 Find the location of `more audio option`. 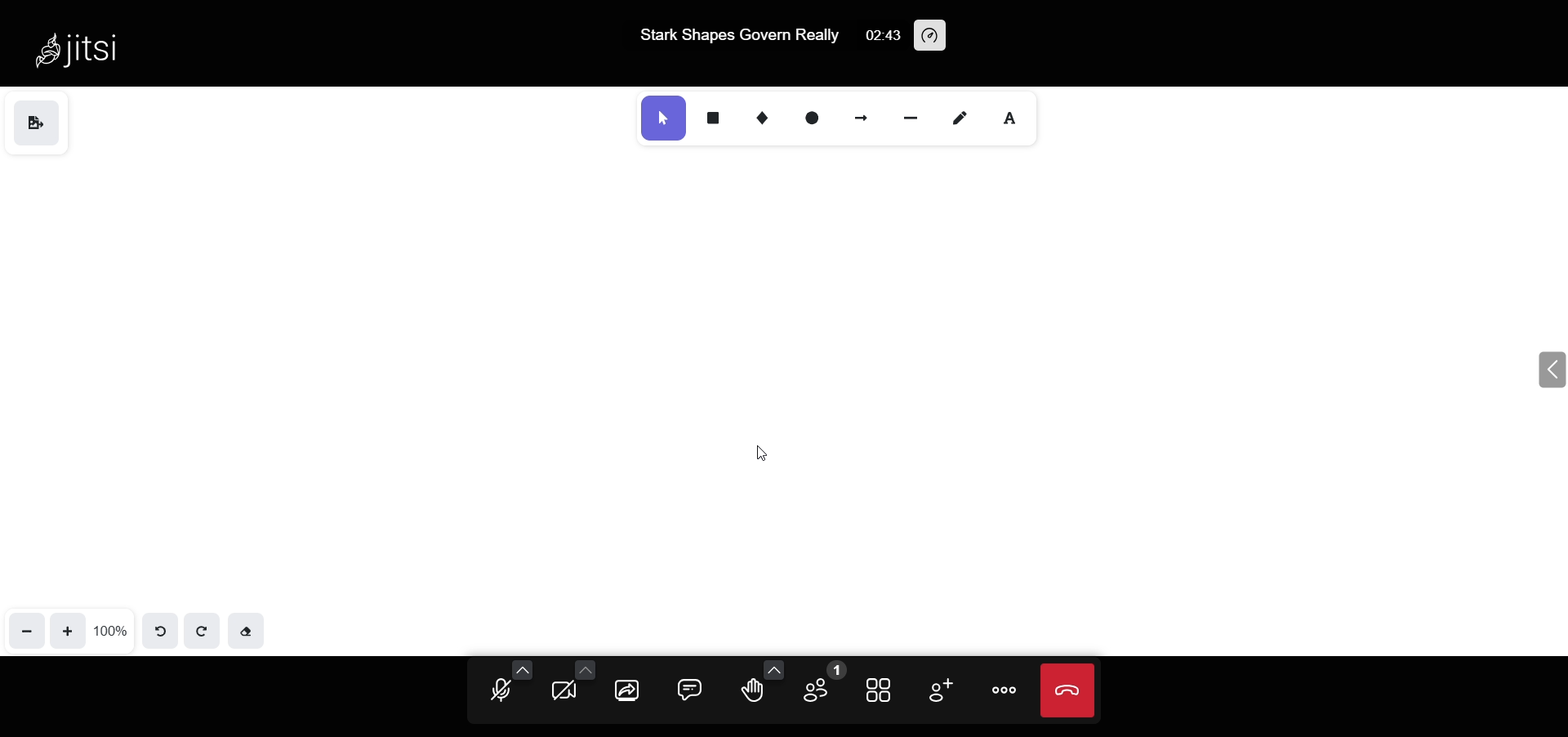

more audio option is located at coordinates (523, 668).